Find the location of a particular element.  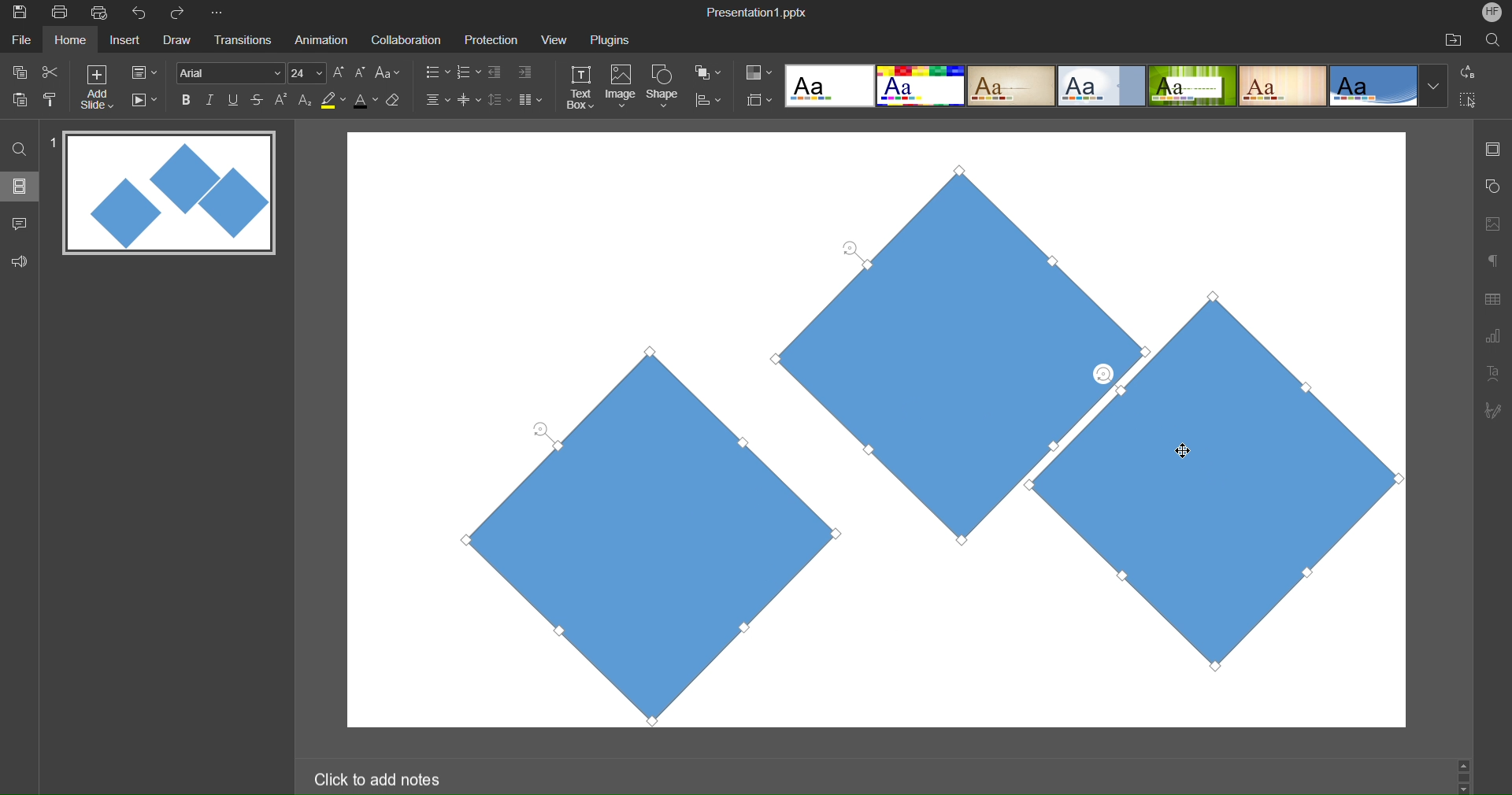

Shape 1 (selected) is located at coordinates (632, 533).